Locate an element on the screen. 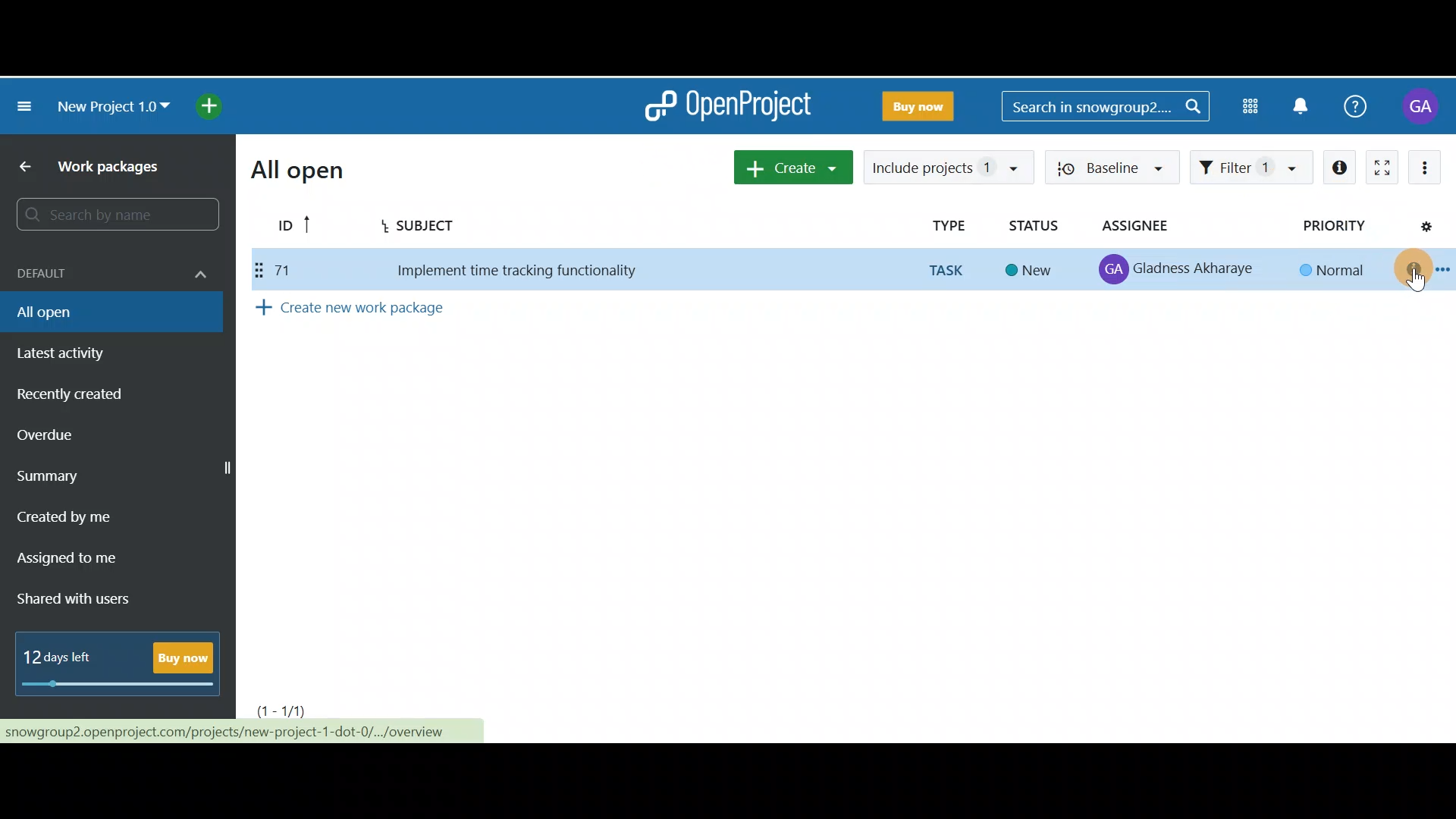  Modules is located at coordinates (1250, 106).